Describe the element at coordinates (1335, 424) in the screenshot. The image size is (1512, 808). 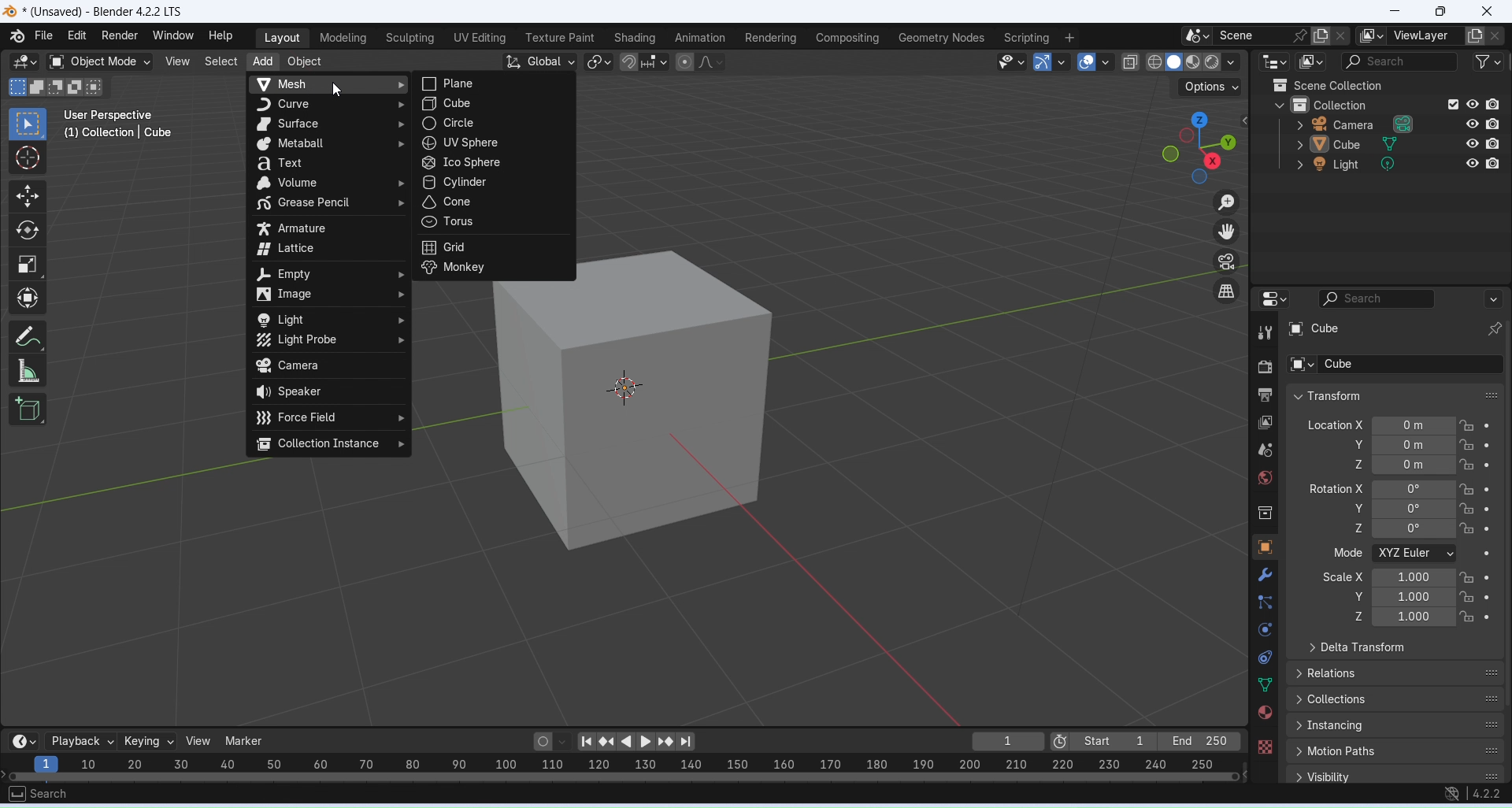
I see `Location X` at that location.